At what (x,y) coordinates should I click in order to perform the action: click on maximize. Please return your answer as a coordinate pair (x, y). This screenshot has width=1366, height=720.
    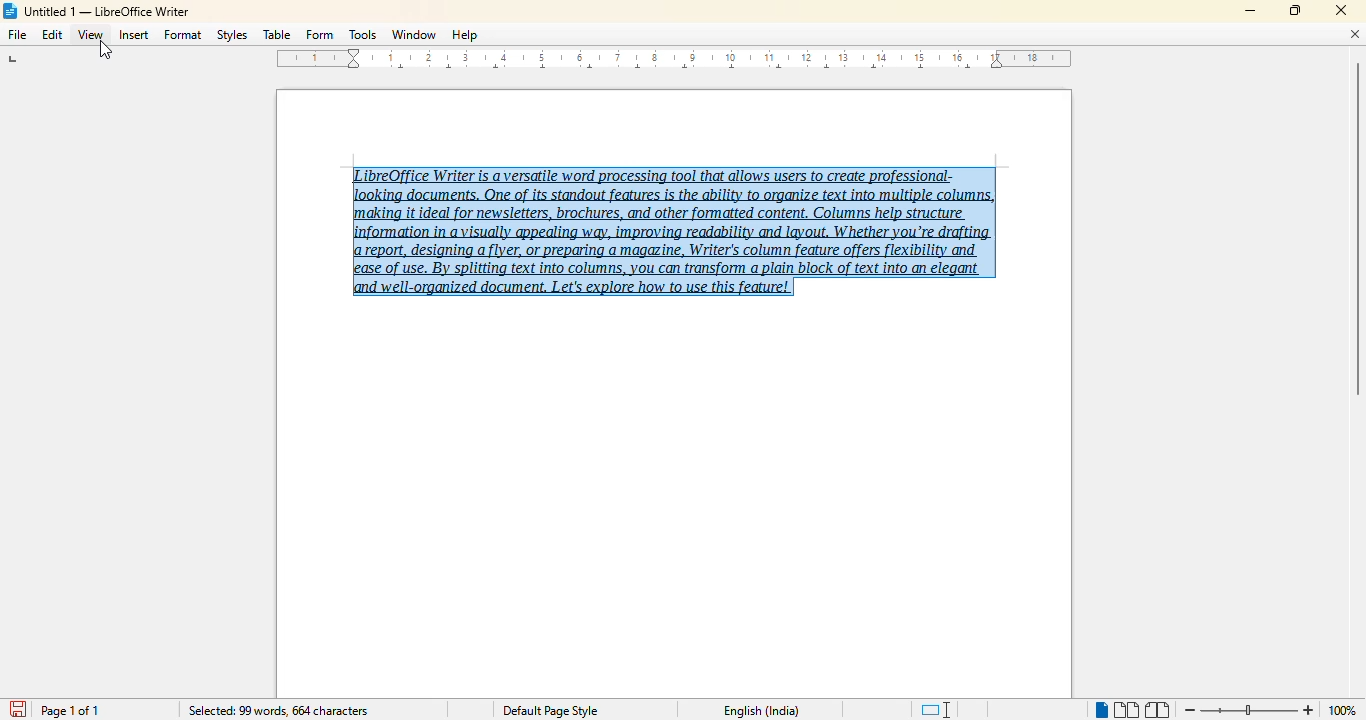
    Looking at the image, I should click on (1294, 10).